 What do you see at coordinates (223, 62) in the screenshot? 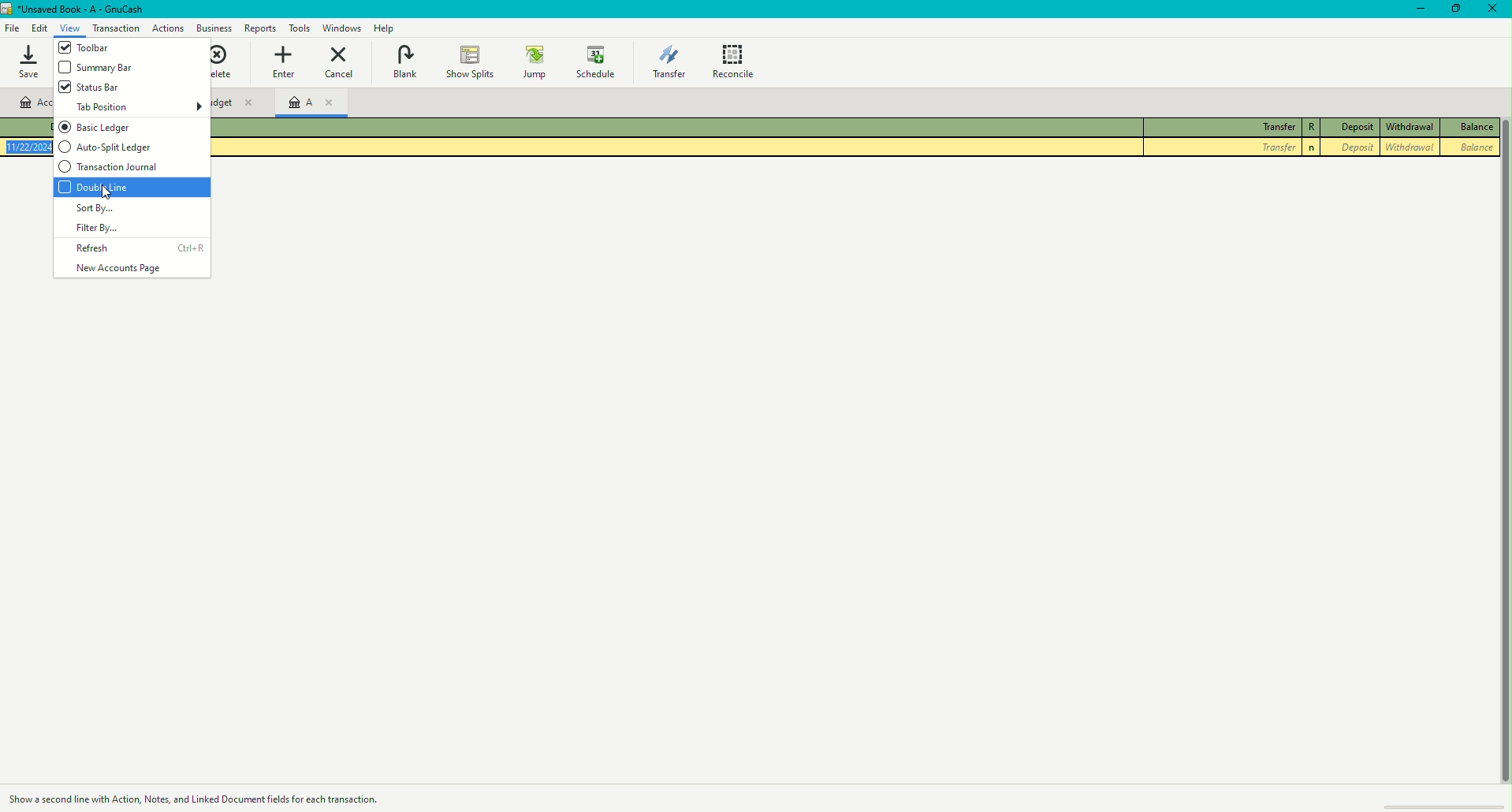
I see `Delete` at bounding box center [223, 62].